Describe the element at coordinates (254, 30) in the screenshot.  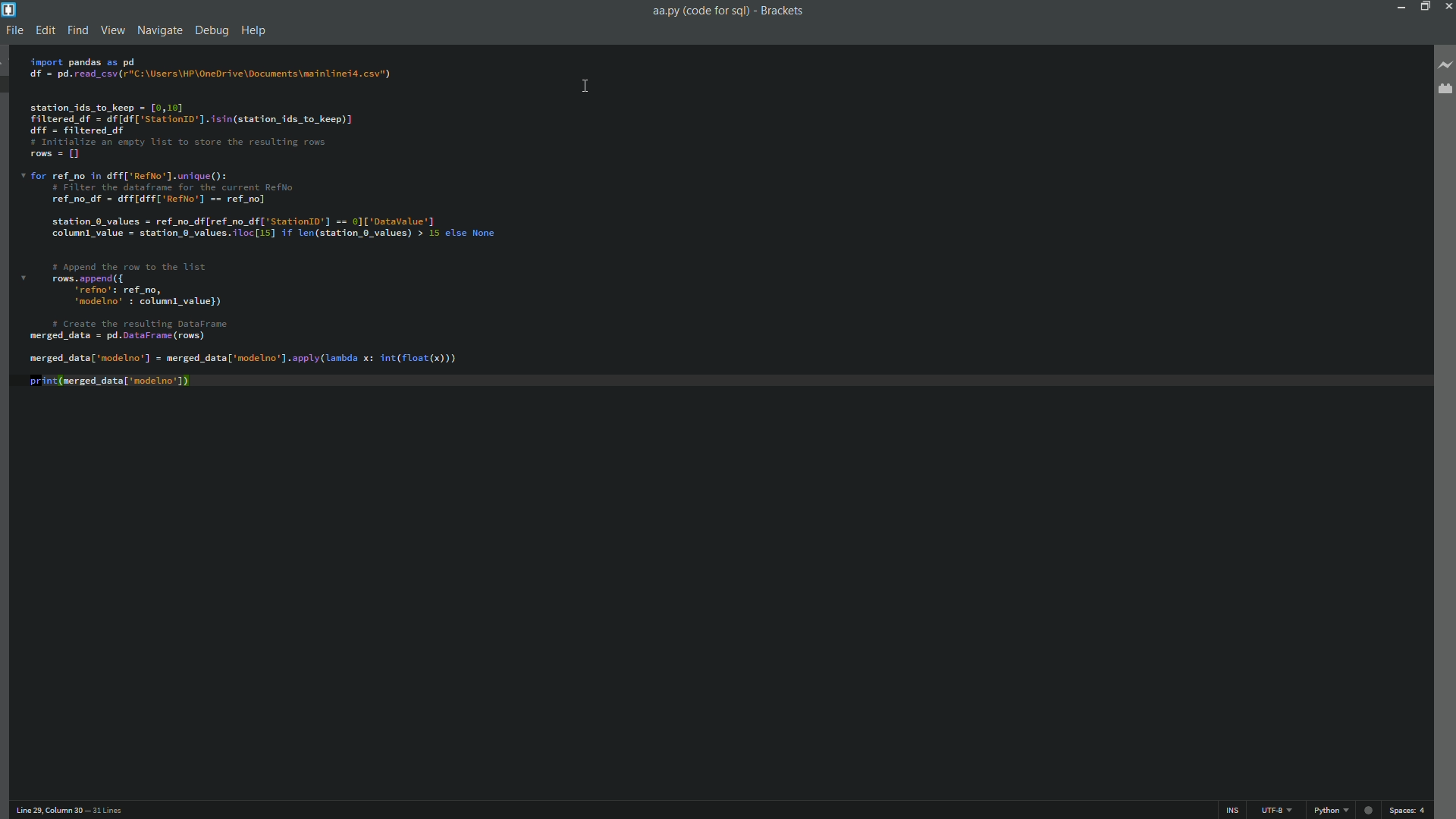
I see `help menu` at that location.